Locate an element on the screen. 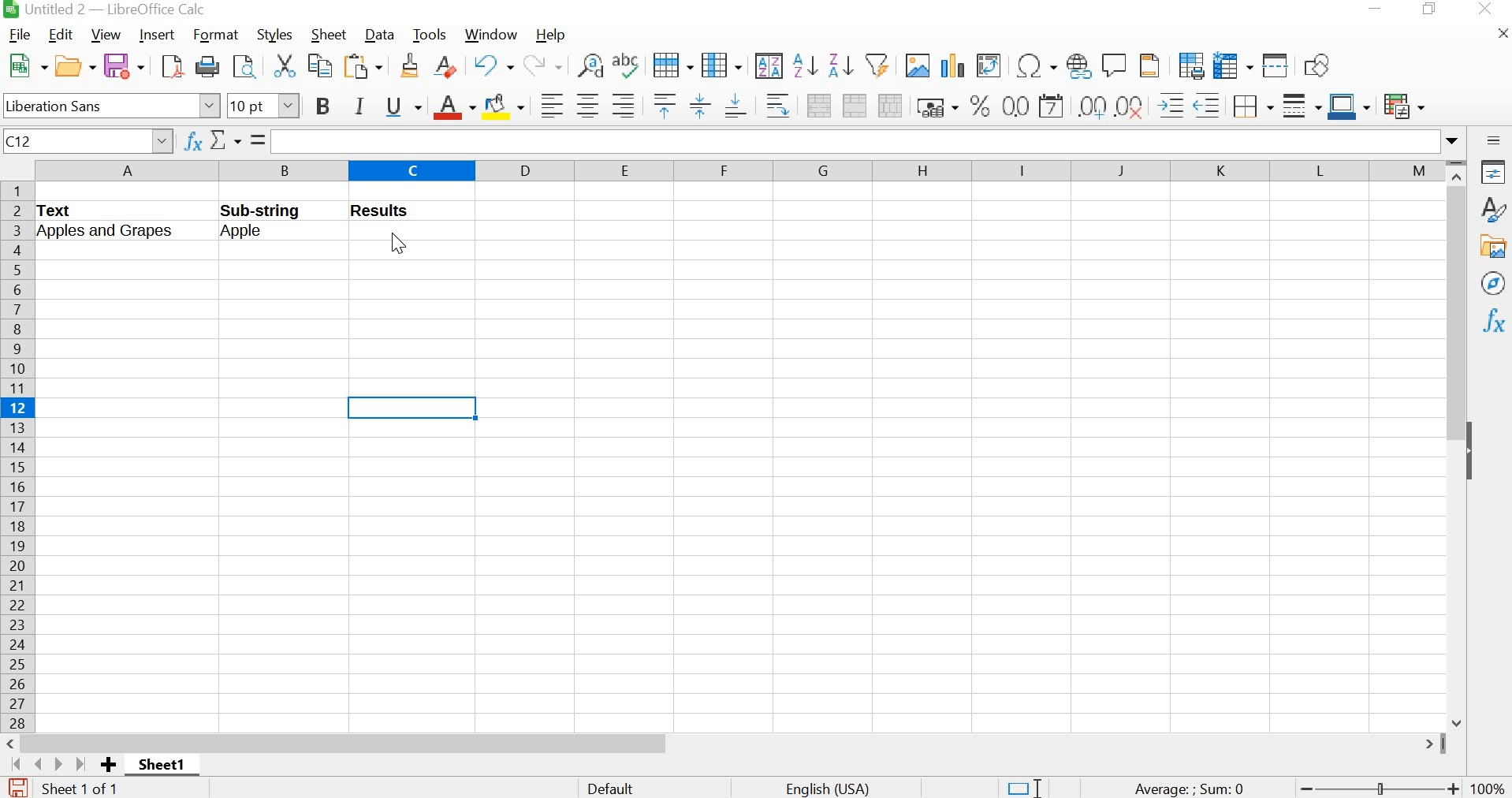  border color is located at coordinates (1349, 106).